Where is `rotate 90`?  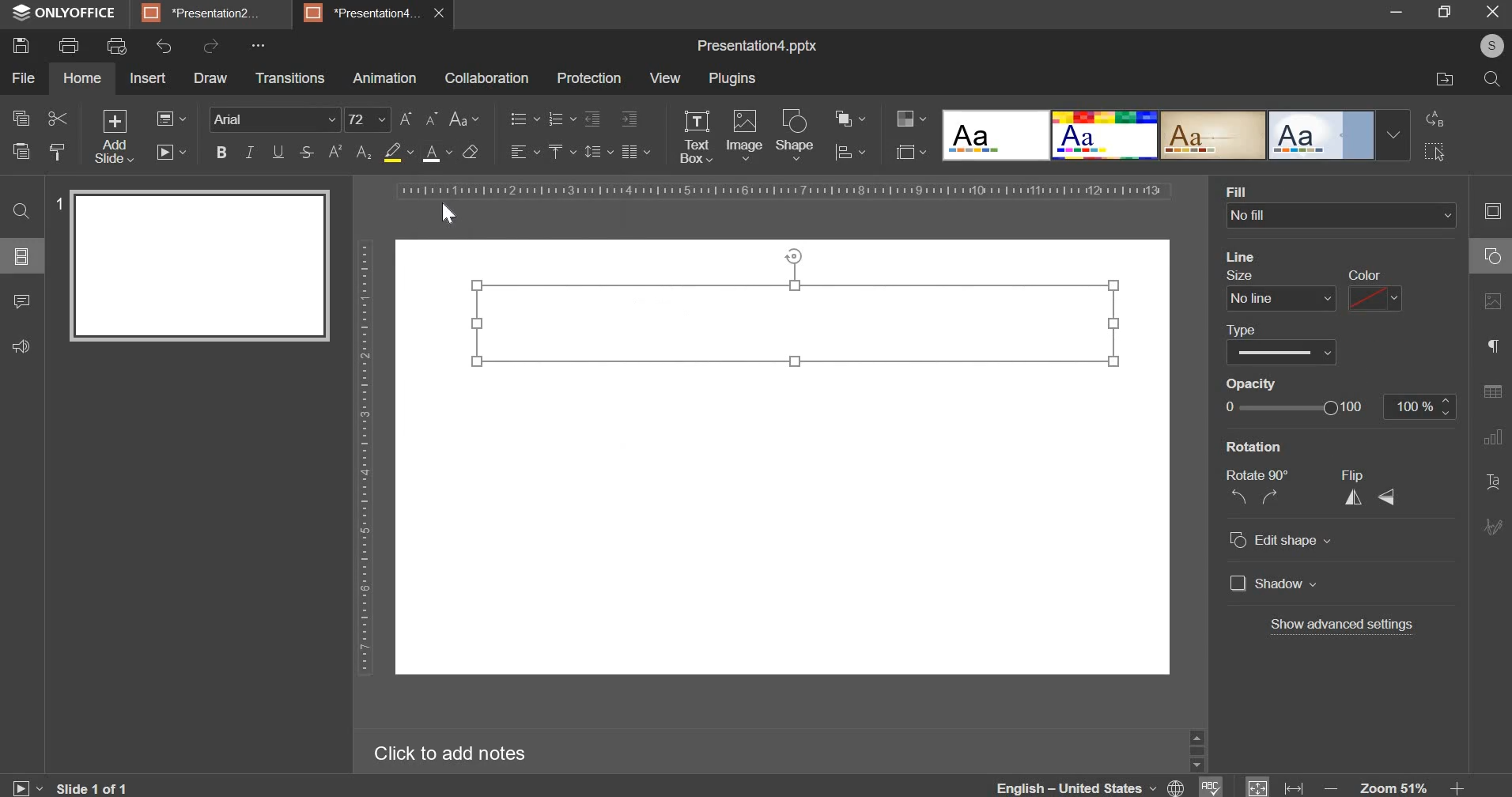
rotate 90 is located at coordinates (1261, 474).